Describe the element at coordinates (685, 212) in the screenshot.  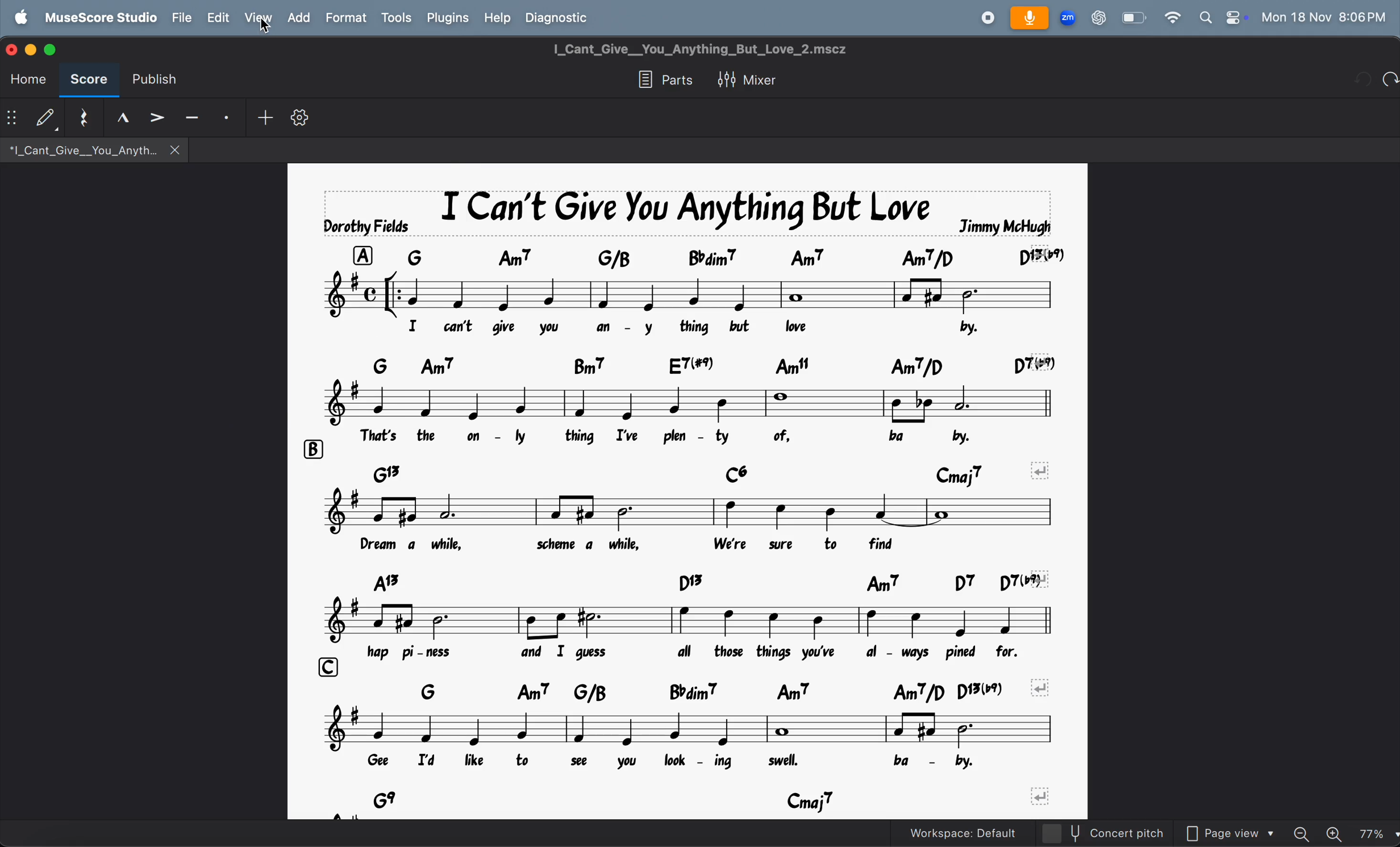
I see `song title` at that location.